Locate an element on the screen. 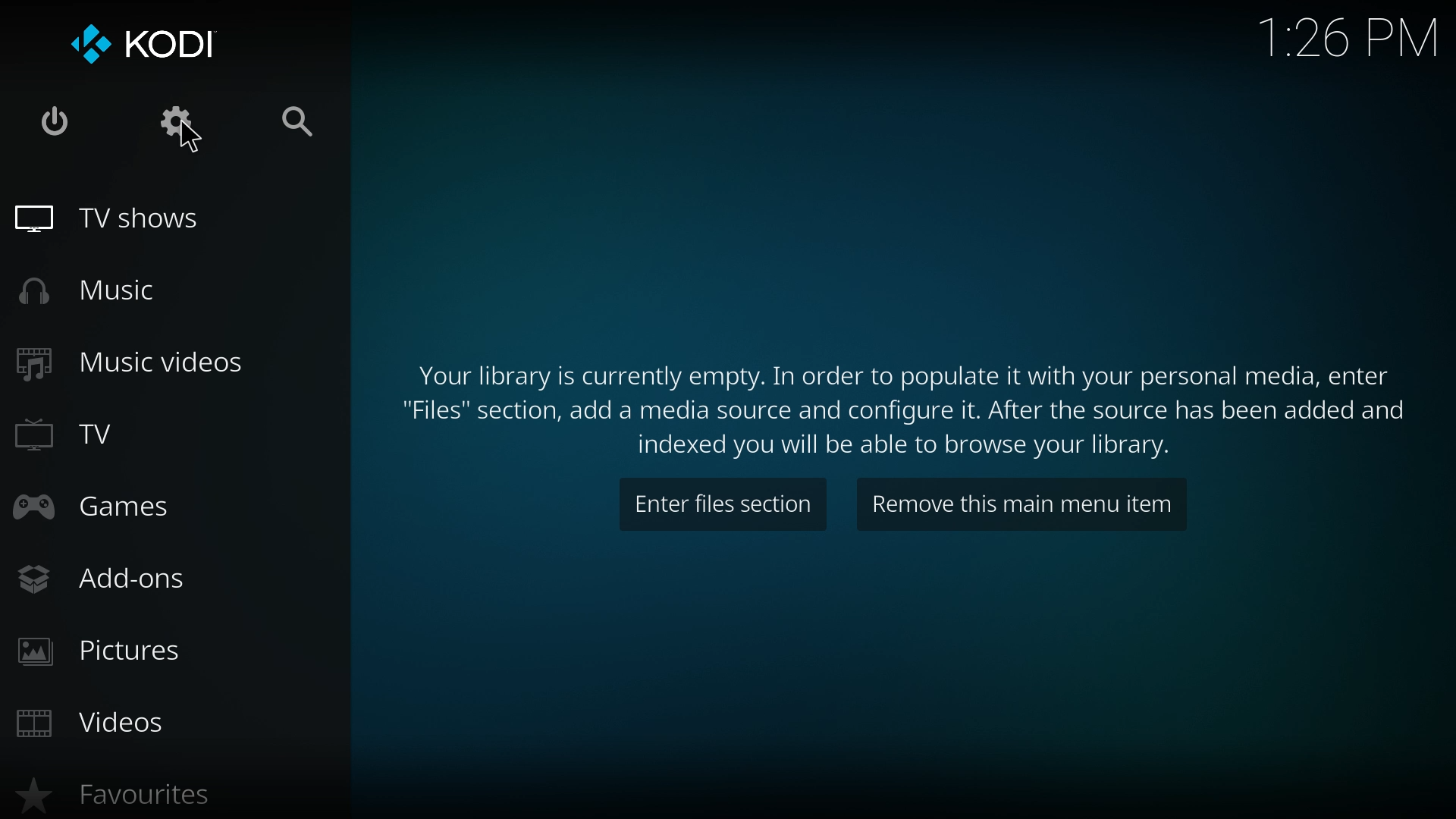  kodi is located at coordinates (150, 44).